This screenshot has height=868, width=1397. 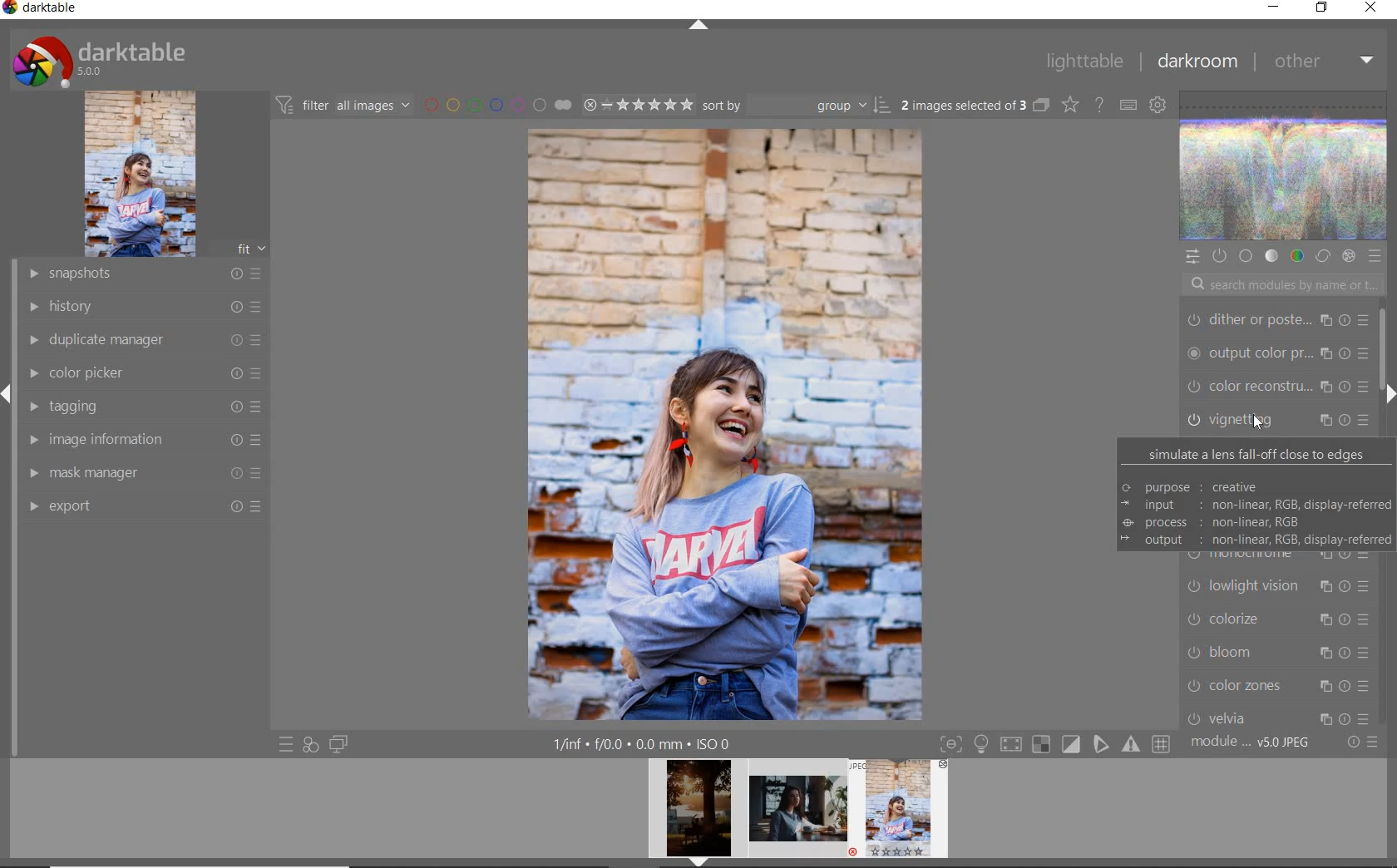 What do you see at coordinates (1084, 61) in the screenshot?
I see `LIGHTTABLE` at bounding box center [1084, 61].